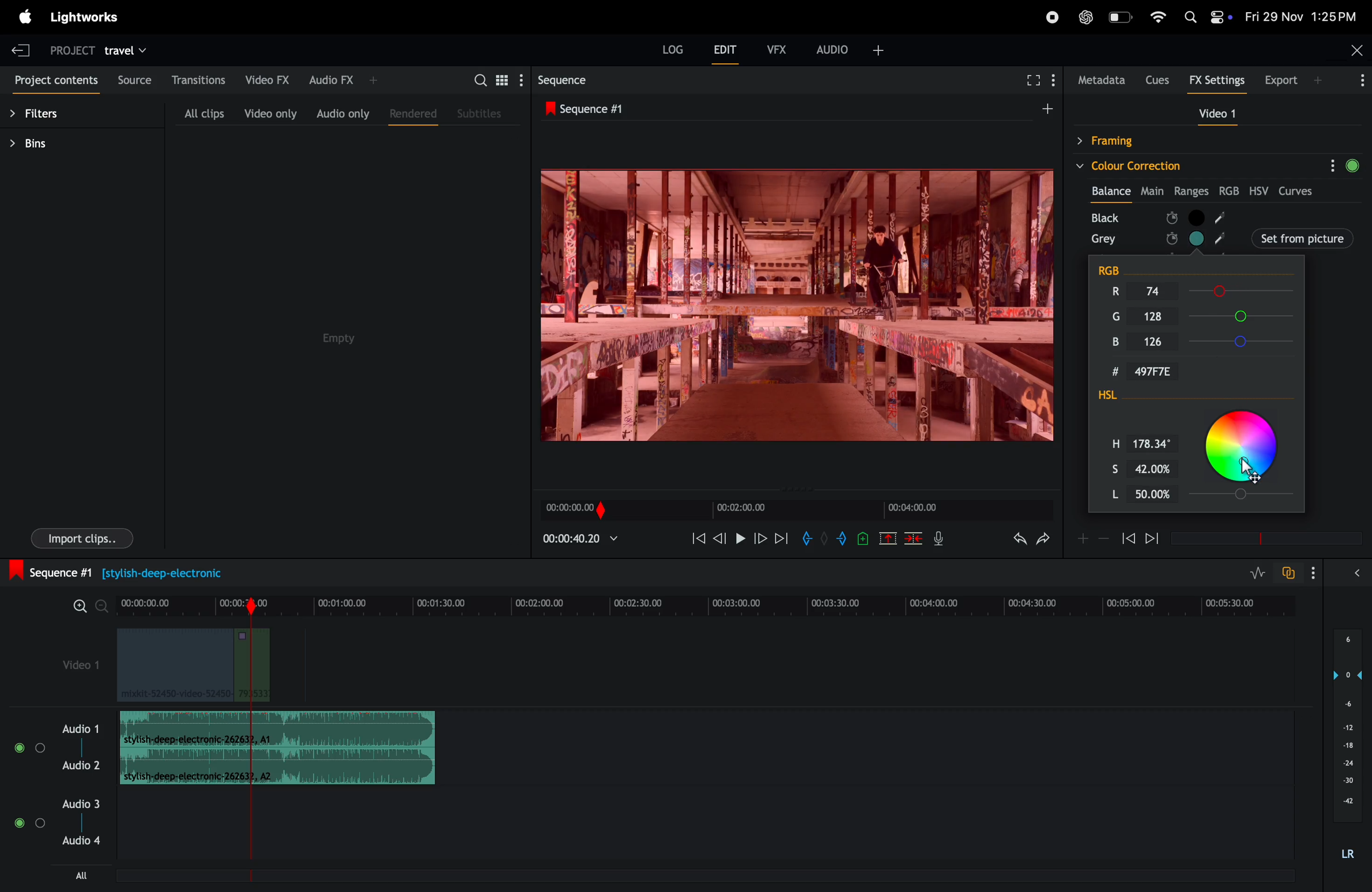 The height and width of the screenshot is (892, 1372). What do you see at coordinates (1311, 571) in the screenshot?
I see `show settings menu` at bounding box center [1311, 571].